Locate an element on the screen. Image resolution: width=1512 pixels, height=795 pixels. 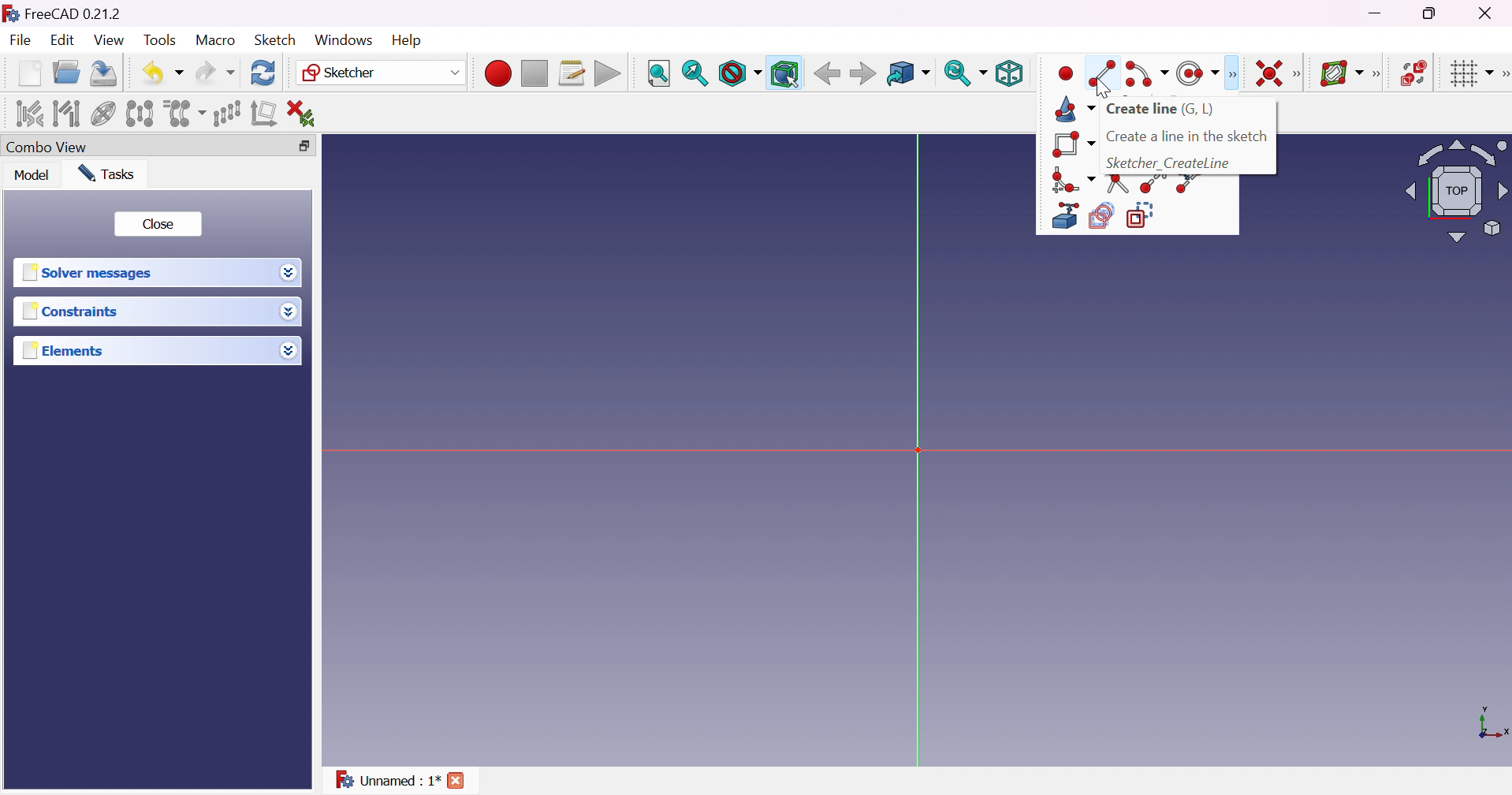
Select associated constraints is located at coordinates (28, 114).